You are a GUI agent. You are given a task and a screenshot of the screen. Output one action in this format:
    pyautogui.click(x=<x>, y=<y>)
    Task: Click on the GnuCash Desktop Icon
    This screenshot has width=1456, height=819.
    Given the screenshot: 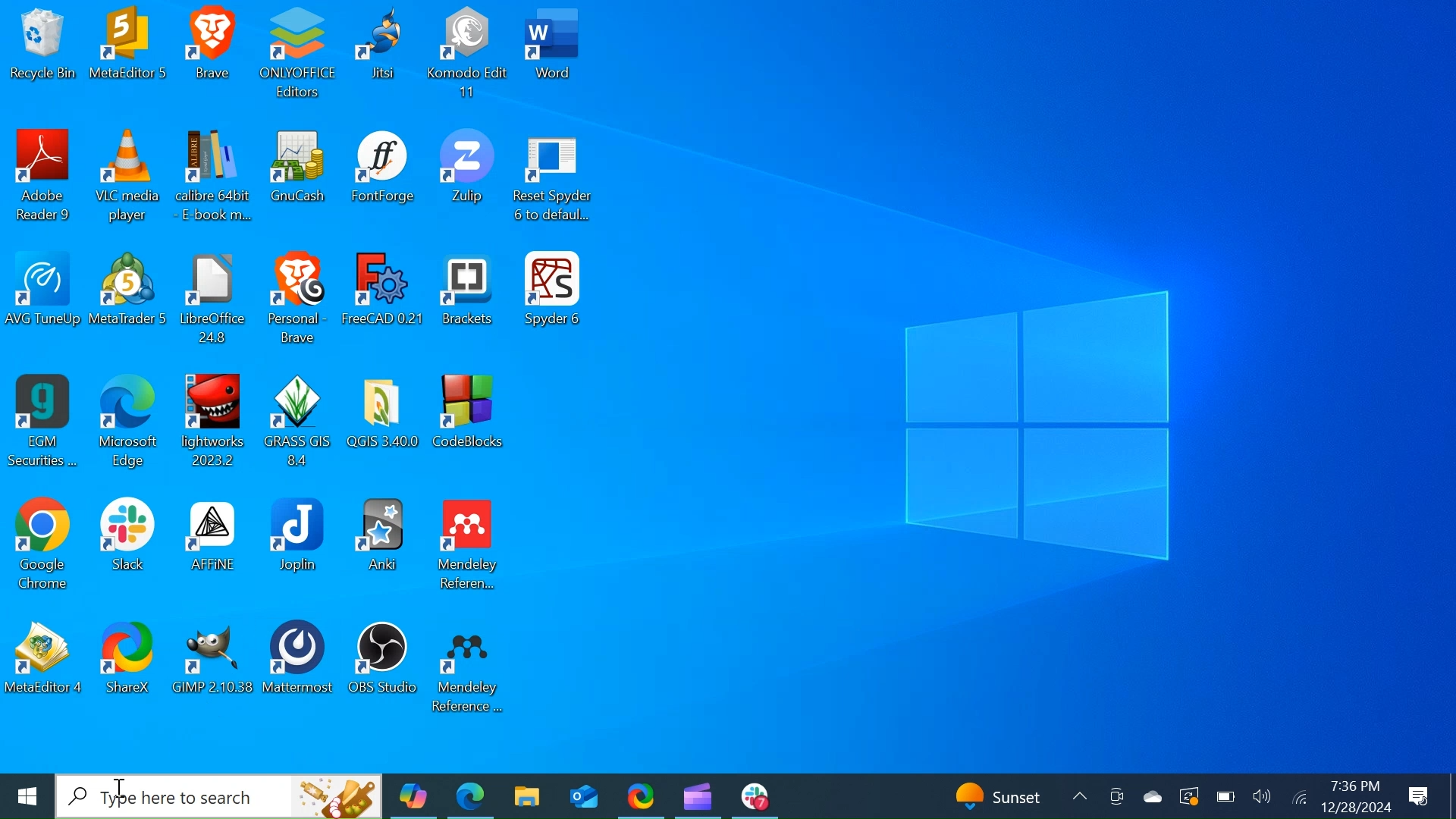 What is the action you would take?
    pyautogui.click(x=297, y=180)
    